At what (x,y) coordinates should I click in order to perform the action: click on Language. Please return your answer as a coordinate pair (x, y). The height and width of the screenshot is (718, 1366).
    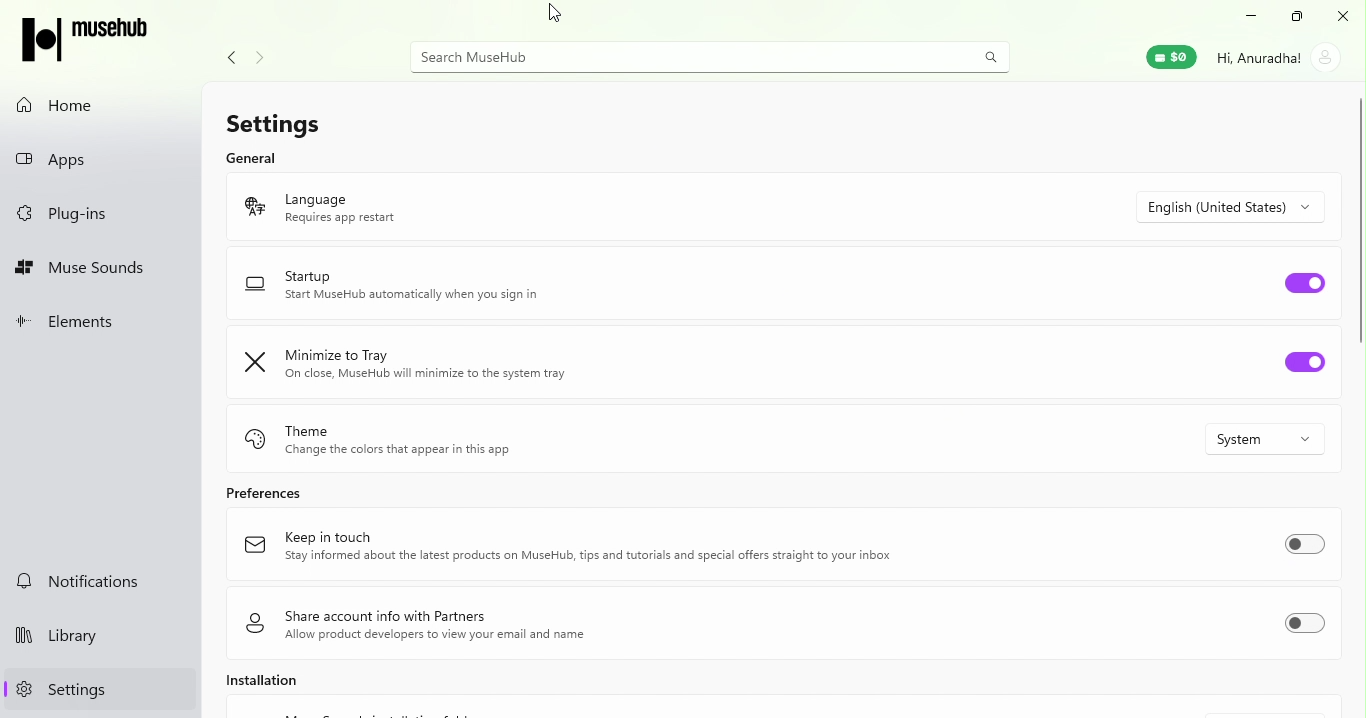
    Looking at the image, I should click on (507, 206).